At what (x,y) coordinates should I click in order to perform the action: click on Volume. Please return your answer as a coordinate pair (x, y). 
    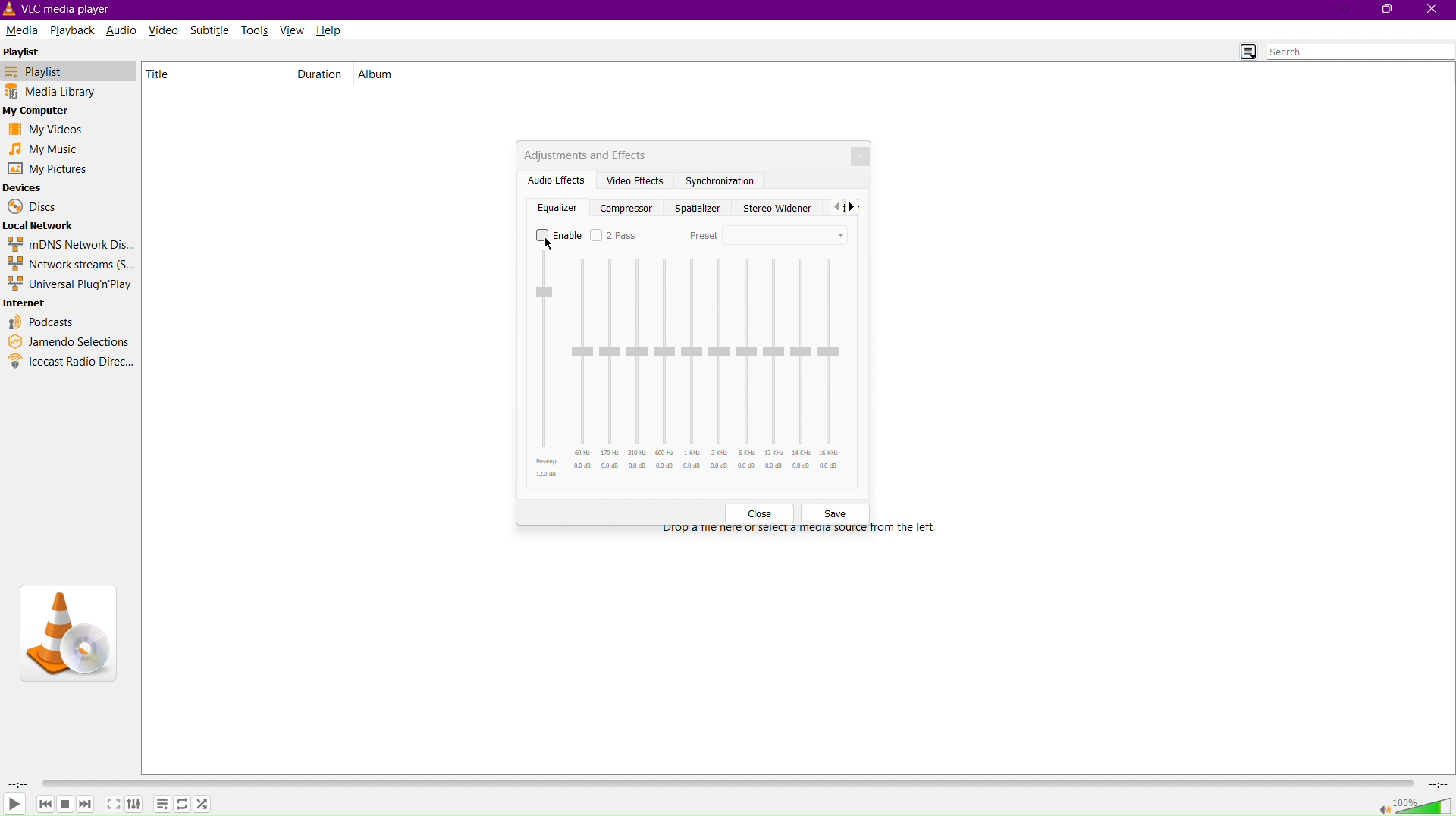
    Looking at the image, I should click on (1406, 805).